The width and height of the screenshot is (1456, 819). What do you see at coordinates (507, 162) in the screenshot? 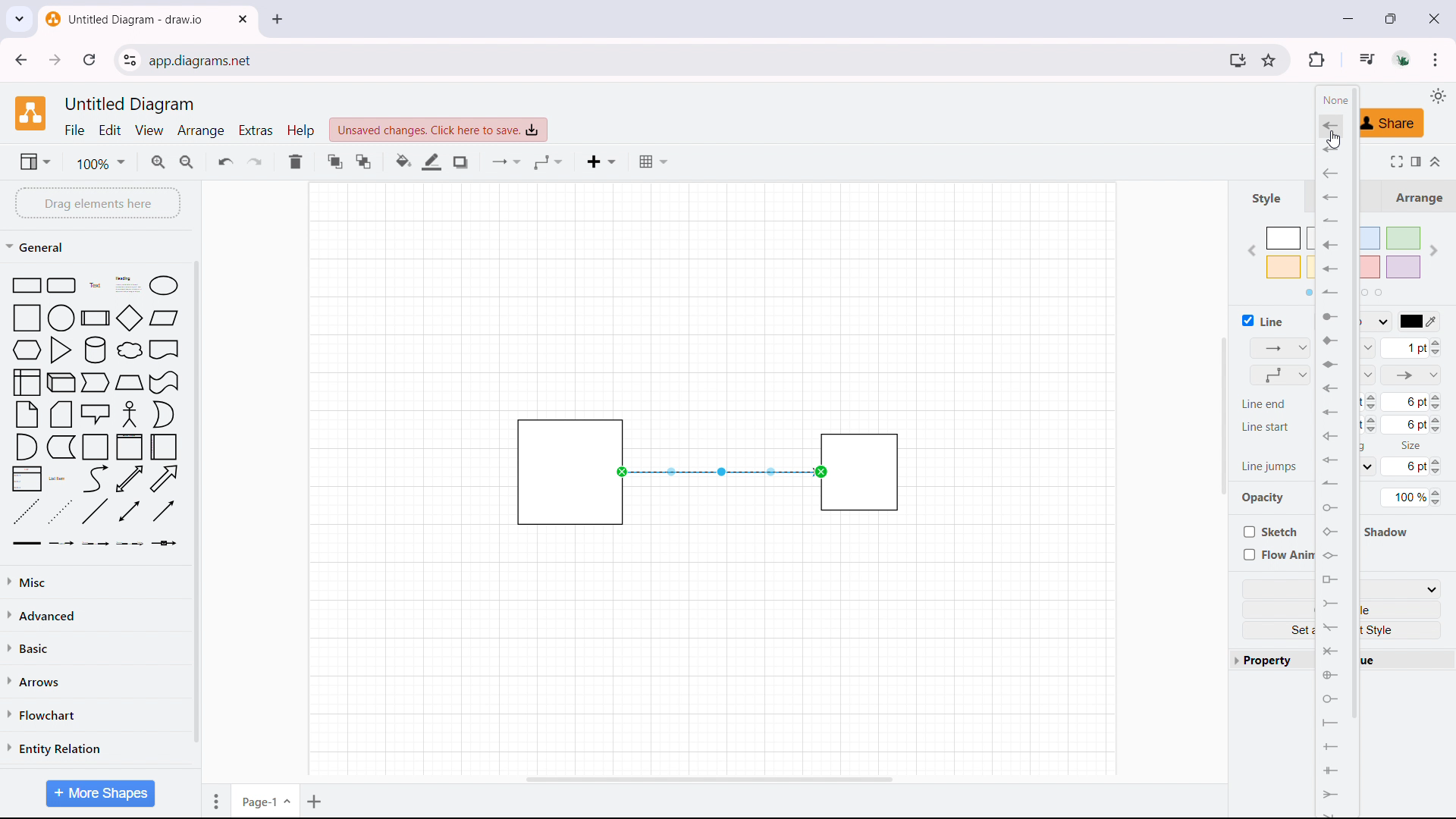
I see `conncetion` at bounding box center [507, 162].